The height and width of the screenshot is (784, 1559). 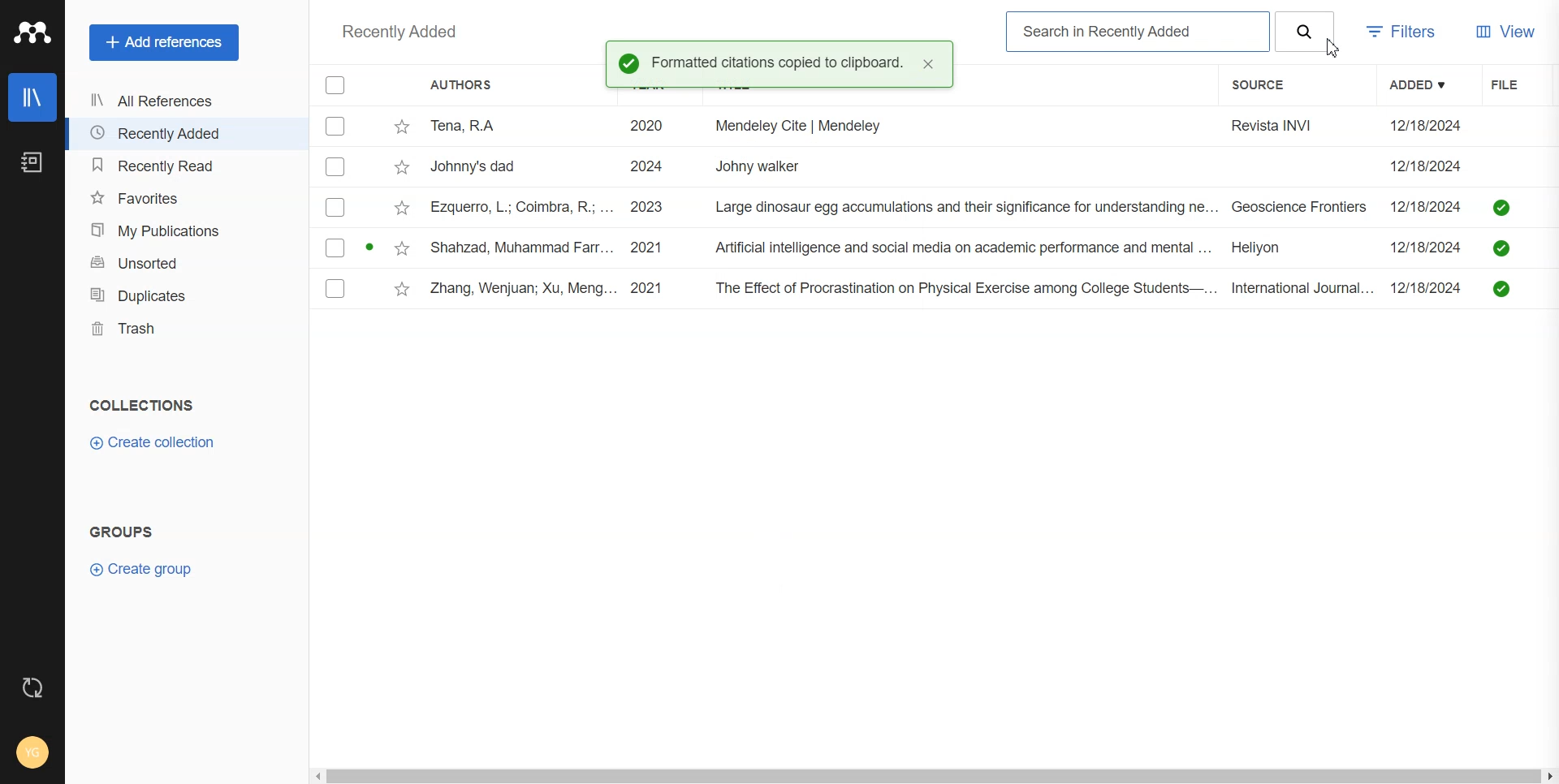 What do you see at coordinates (32, 33) in the screenshot?
I see `Logo` at bounding box center [32, 33].